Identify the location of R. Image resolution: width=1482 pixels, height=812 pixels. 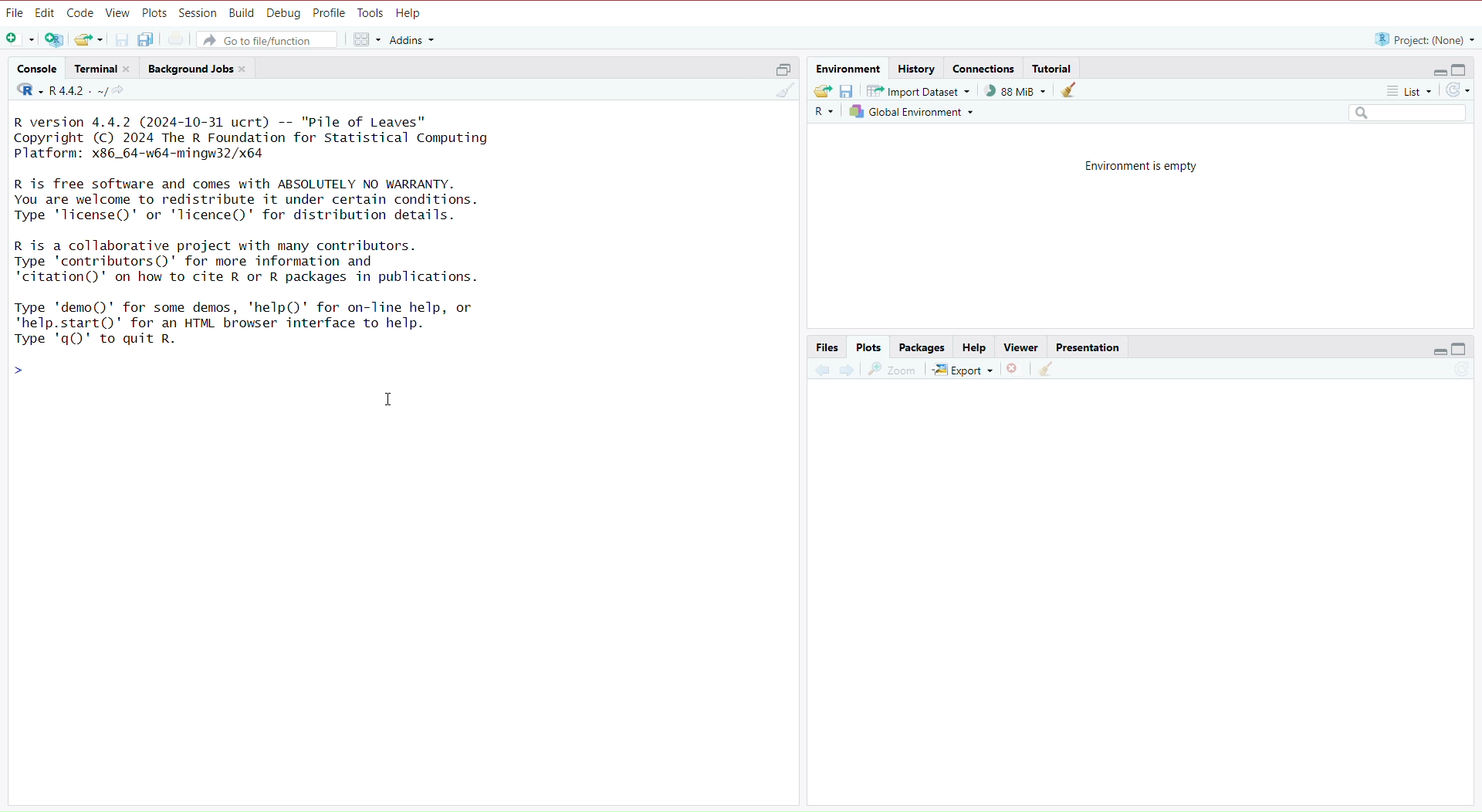
(822, 114).